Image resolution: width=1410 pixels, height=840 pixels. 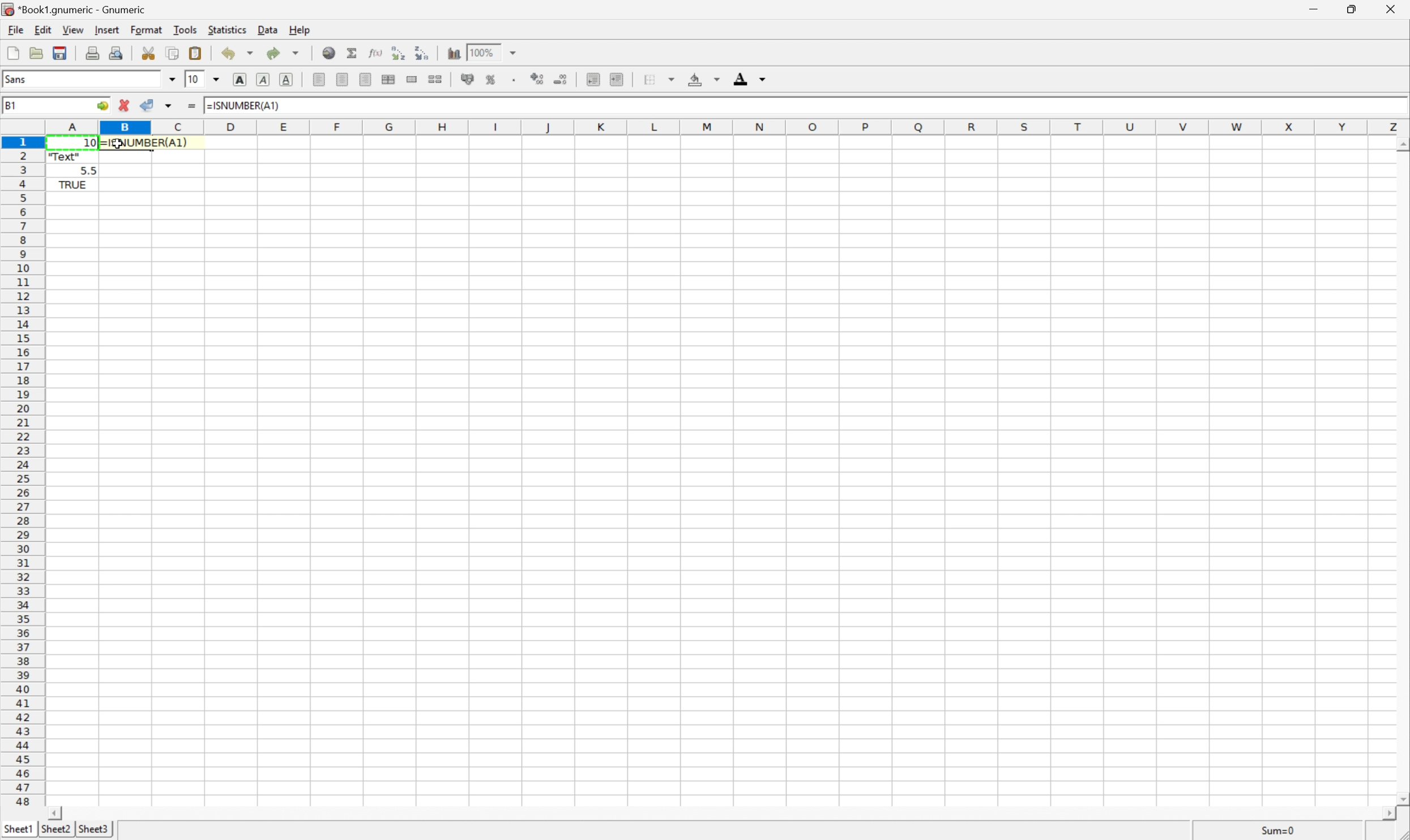 What do you see at coordinates (319, 78) in the screenshot?
I see `Align Left` at bounding box center [319, 78].